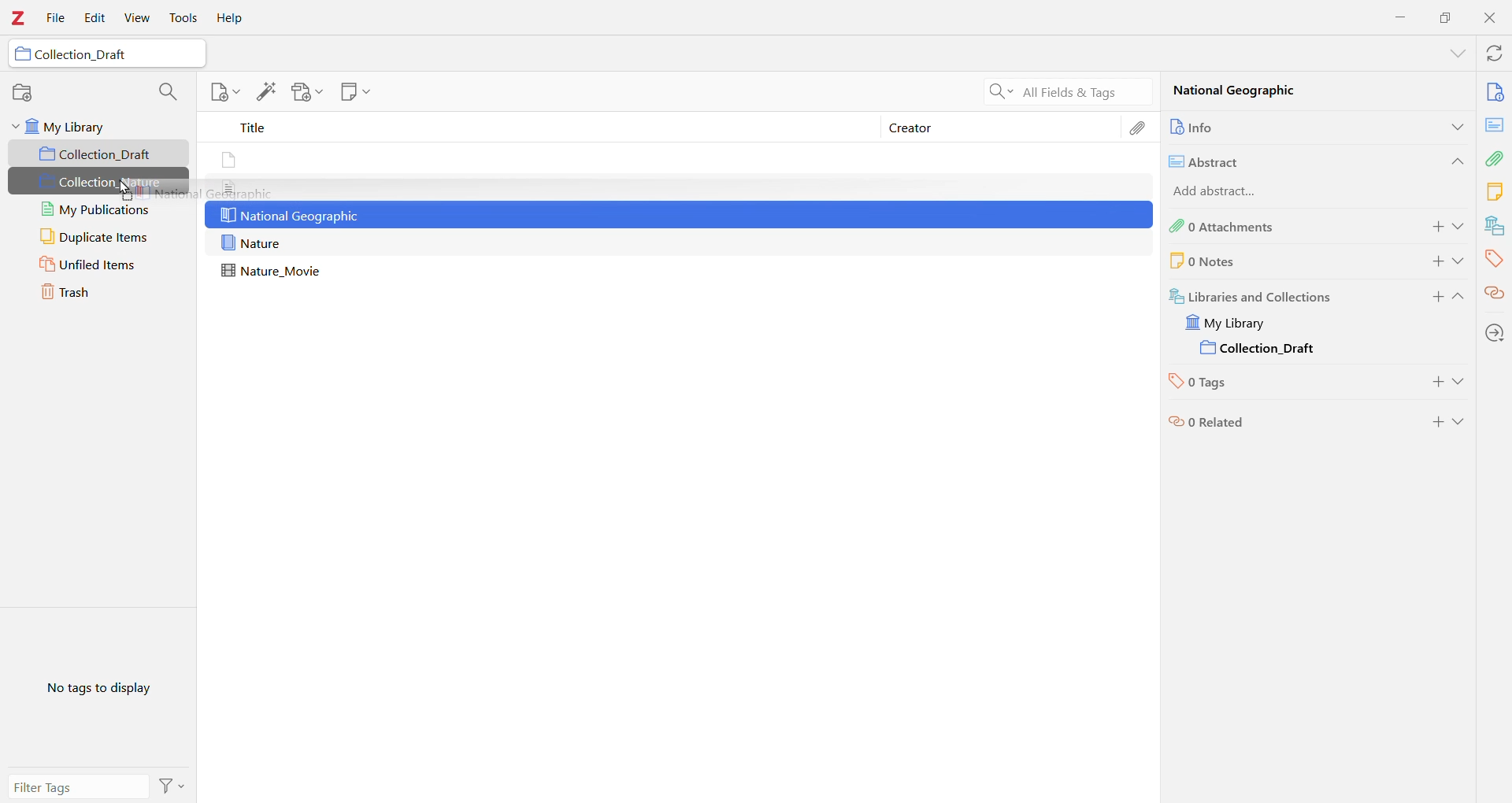  Describe the element at coordinates (1436, 384) in the screenshot. I see `Add` at that location.